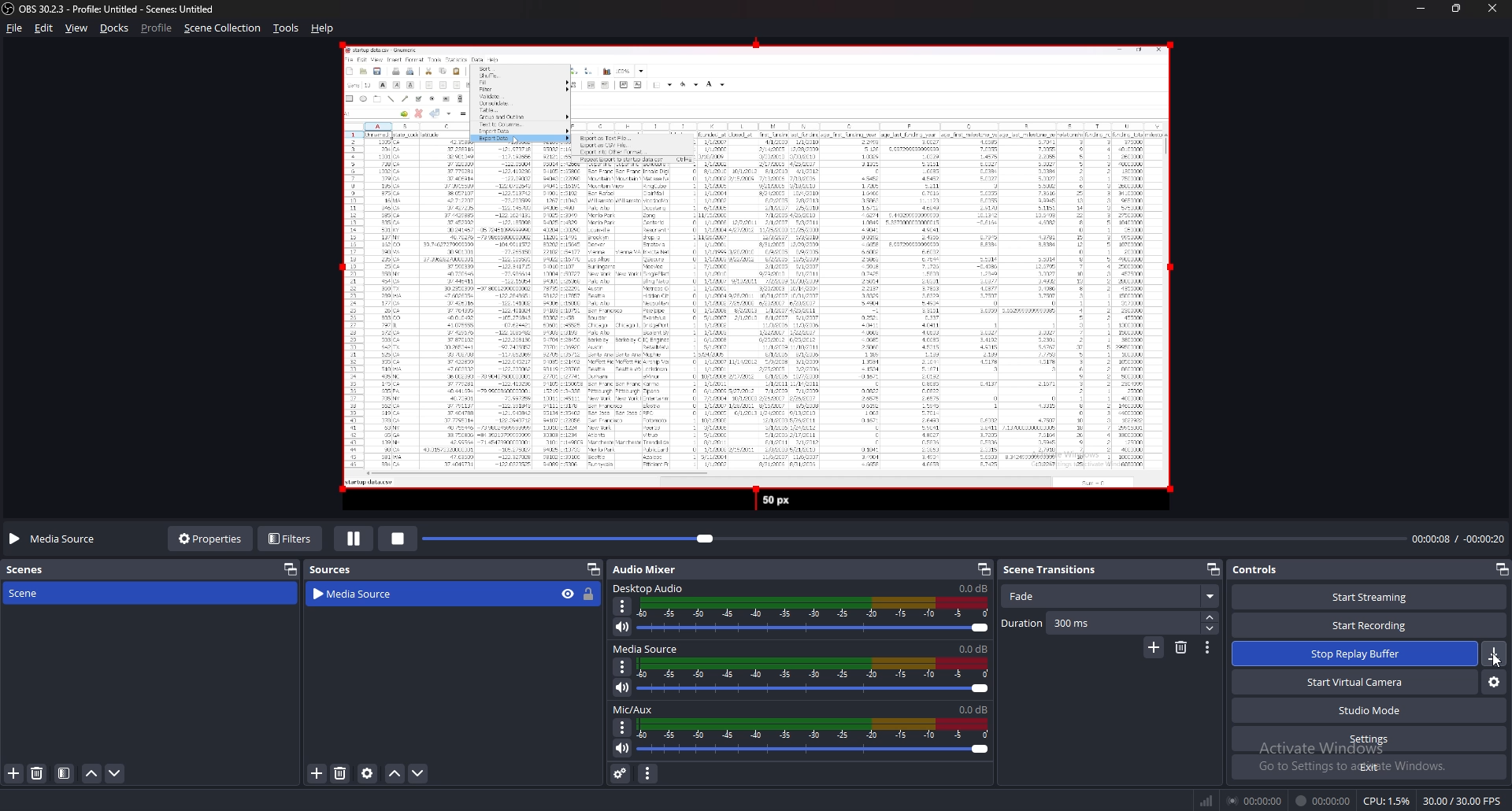 This screenshot has height=811, width=1512. Describe the element at coordinates (57, 539) in the screenshot. I see `media source` at that location.